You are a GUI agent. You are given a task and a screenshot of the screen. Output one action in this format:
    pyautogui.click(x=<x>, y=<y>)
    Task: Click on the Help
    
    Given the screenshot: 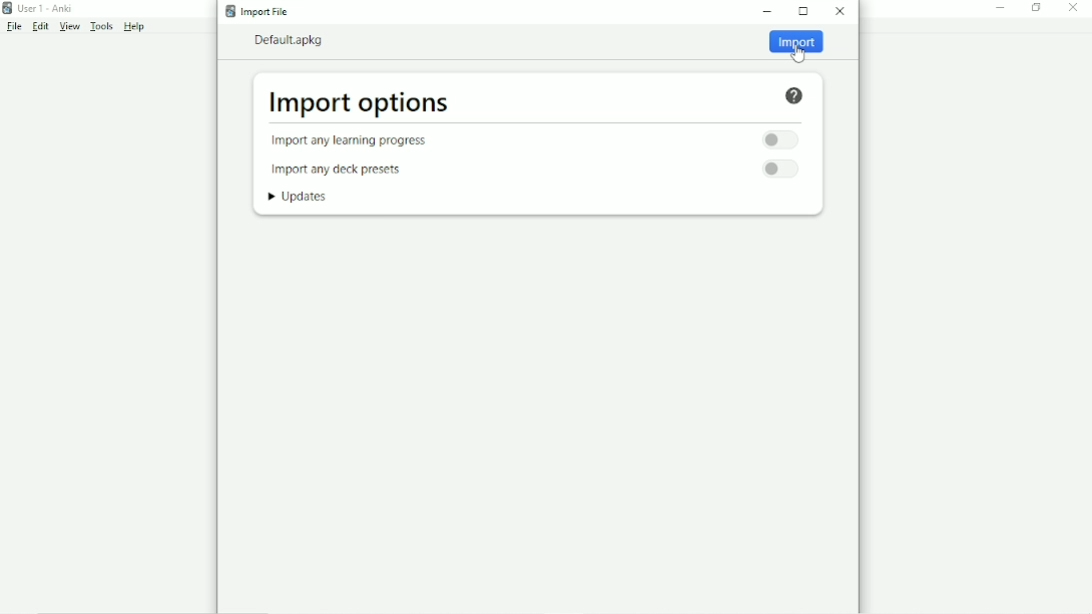 What is the action you would take?
    pyautogui.click(x=134, y=26)
    